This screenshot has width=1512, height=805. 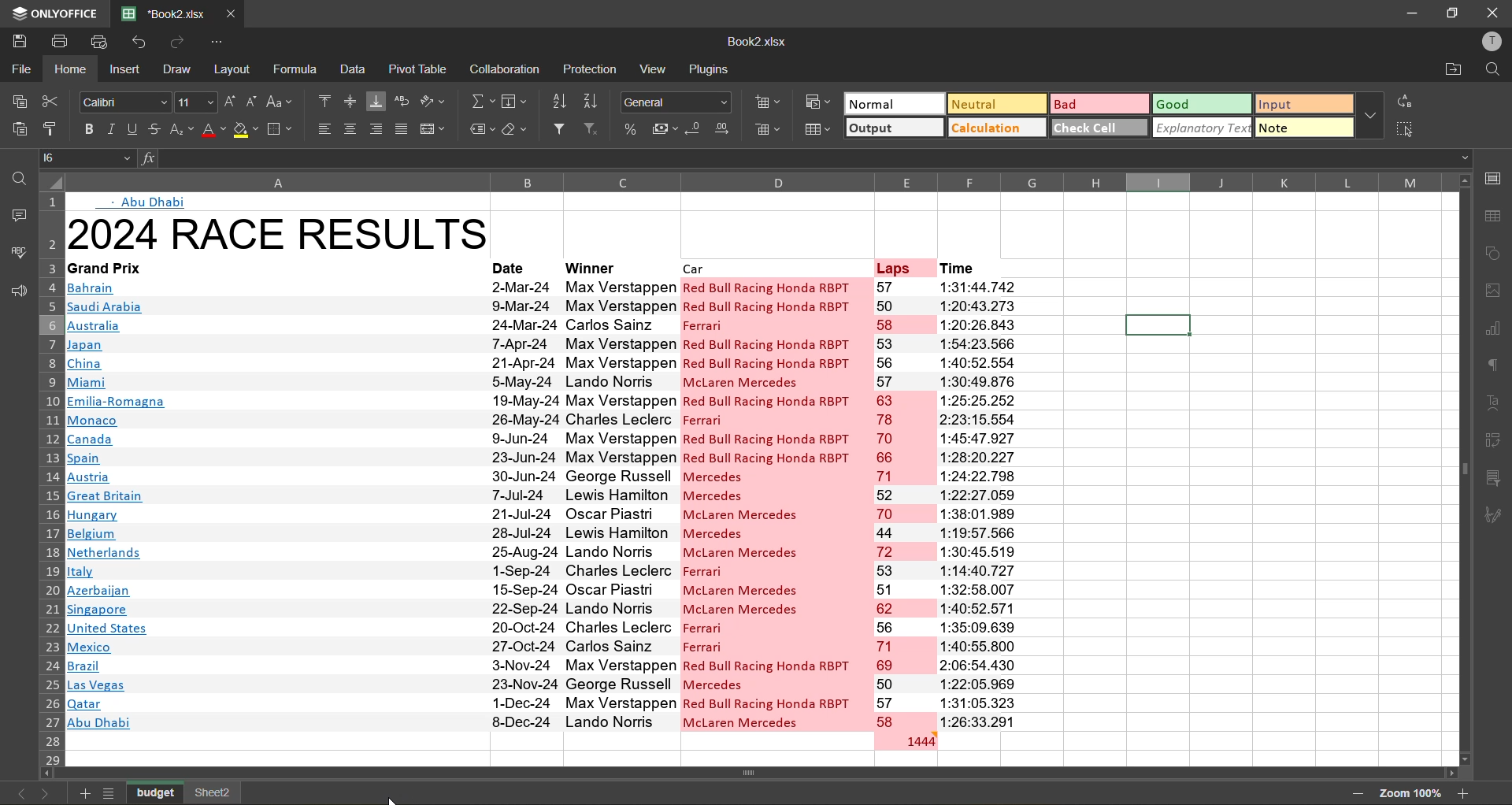 What do you see at coordinates (327, 102) in the screenshot?
I see `align top` at bounding box center [327, 102].